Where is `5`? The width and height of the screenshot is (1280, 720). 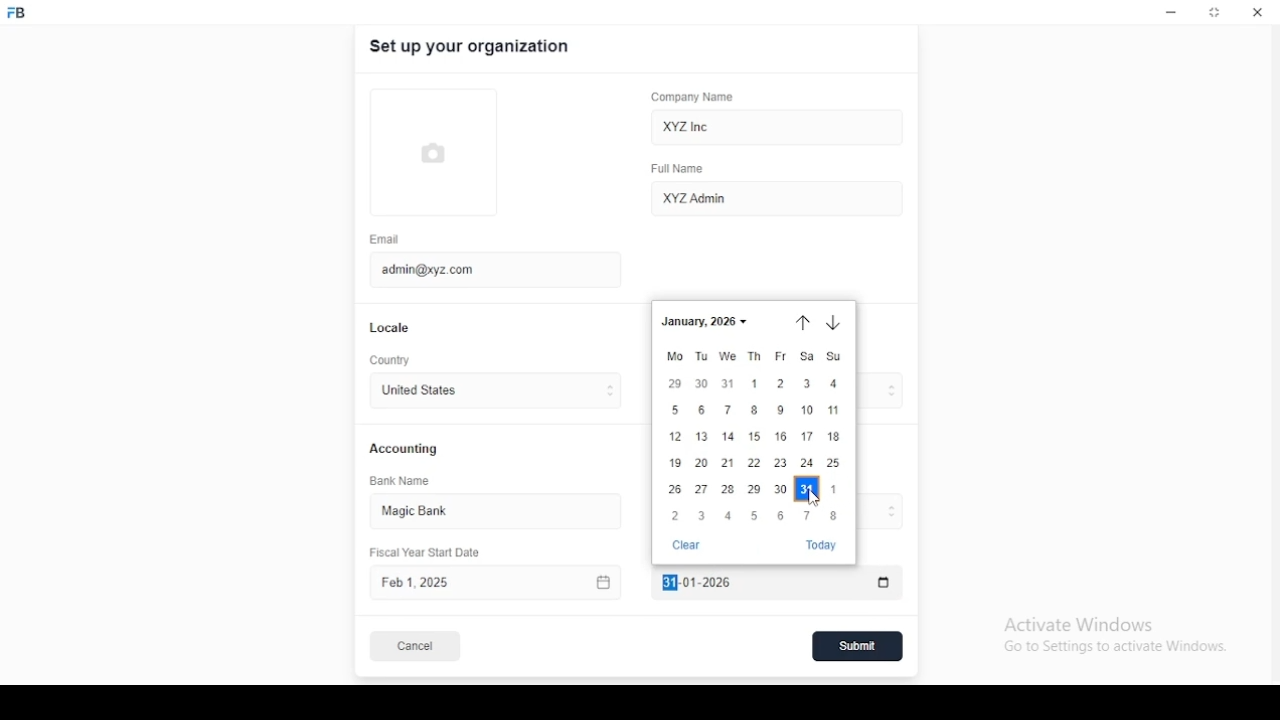 5 is located at coordinates (673, 410).